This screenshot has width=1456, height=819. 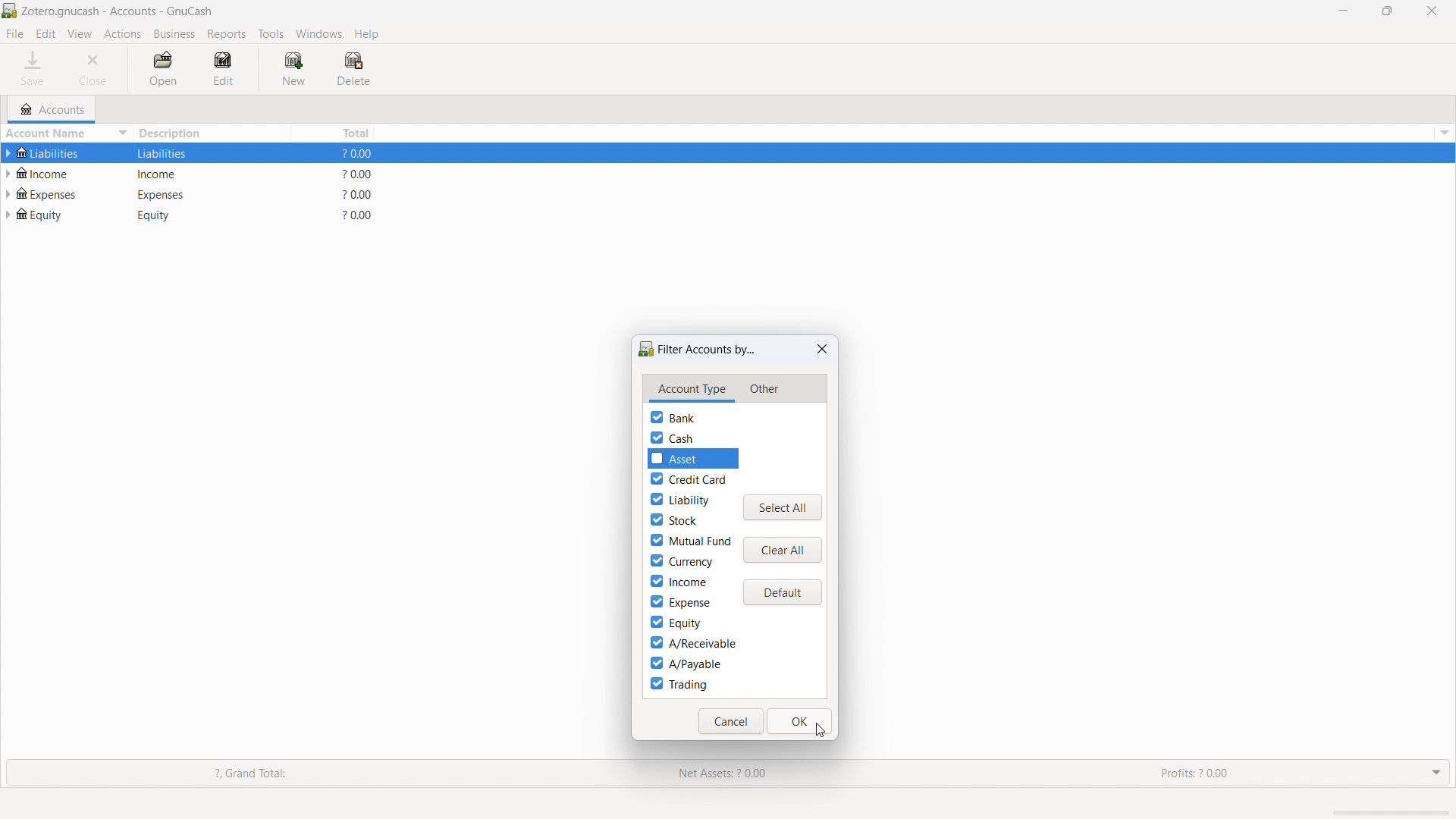 What do you see at coordinates (174, 173) in the screenshot?
I see `Income` at bounding box center [174, 173].